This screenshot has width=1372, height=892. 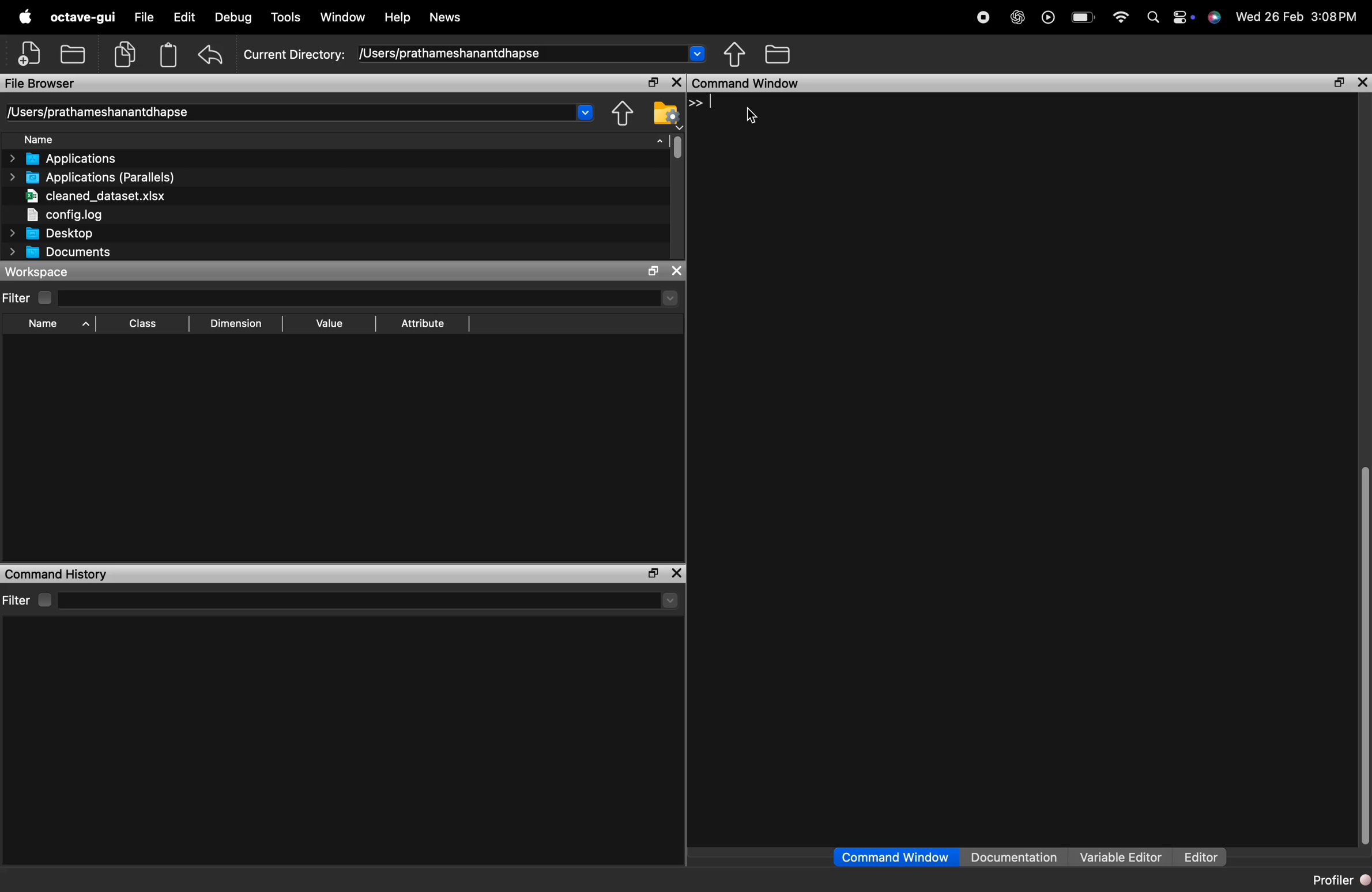 What do you see at coordinates (1333, 17) in the screenshot?
I see `3:08PM` at bounding box center [1333, 17].